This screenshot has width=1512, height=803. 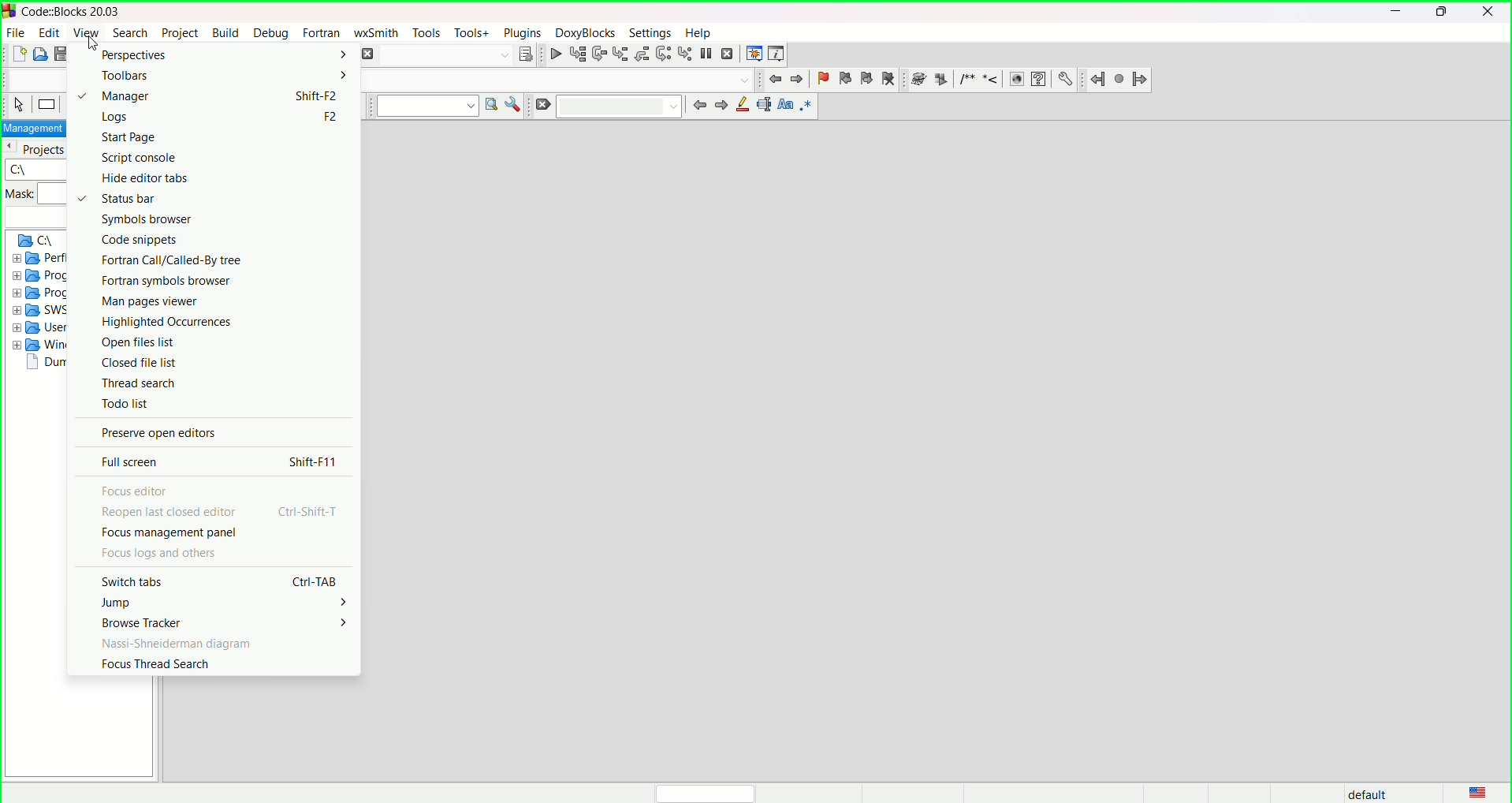 I want to click on step into, so click(x=620, y=53).